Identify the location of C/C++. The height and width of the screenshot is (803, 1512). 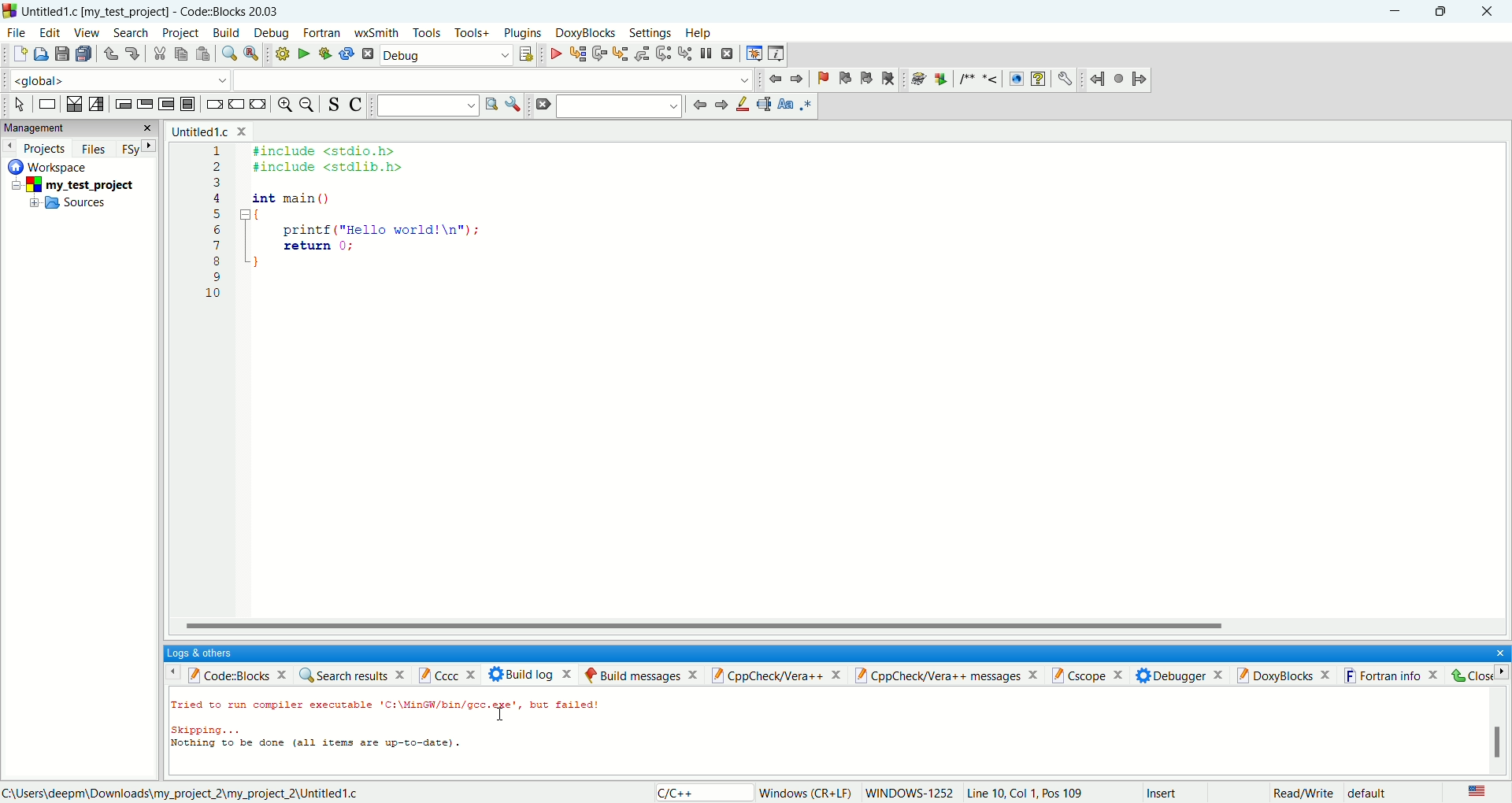
(700, 792).